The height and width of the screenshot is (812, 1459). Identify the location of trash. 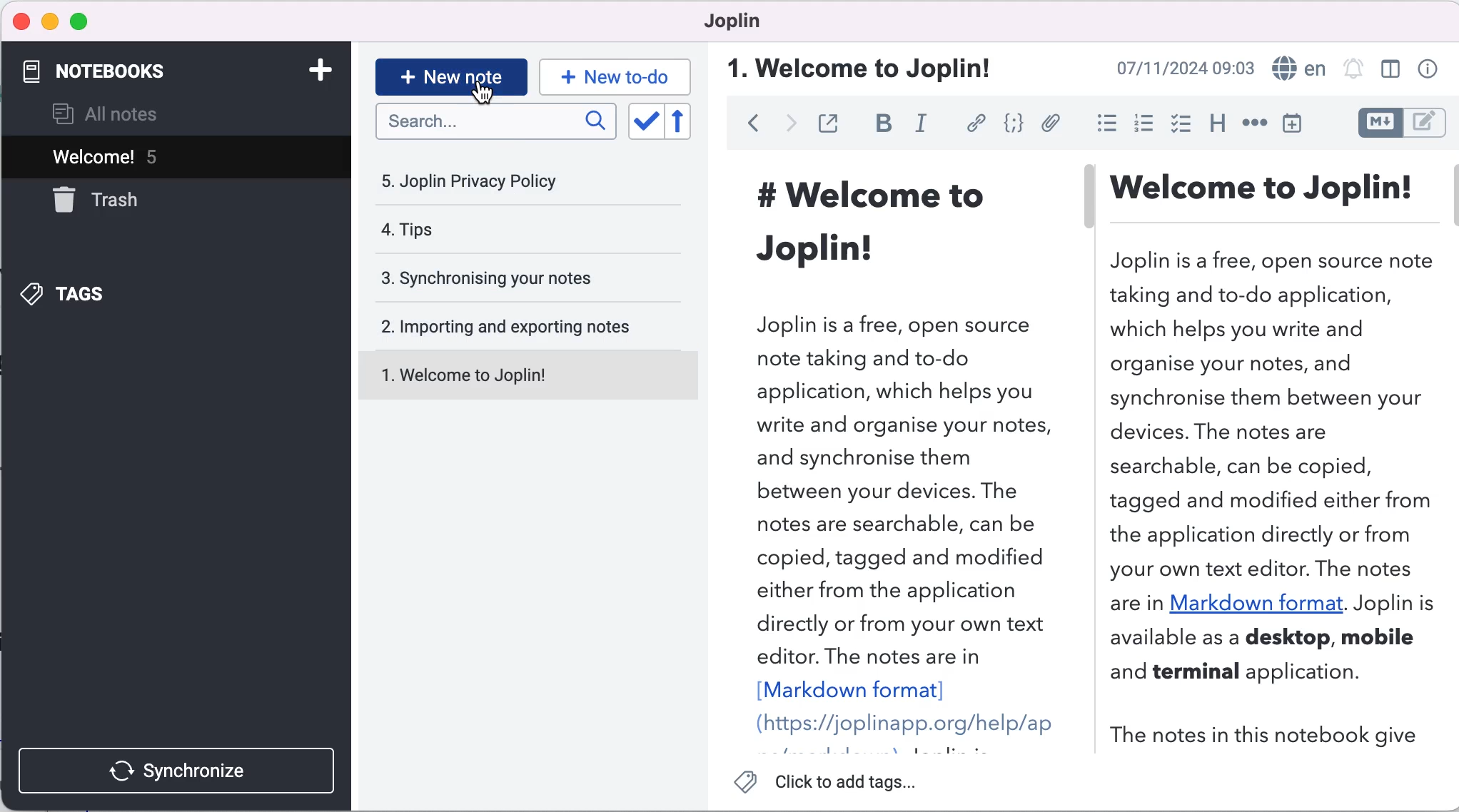
(131, 201).